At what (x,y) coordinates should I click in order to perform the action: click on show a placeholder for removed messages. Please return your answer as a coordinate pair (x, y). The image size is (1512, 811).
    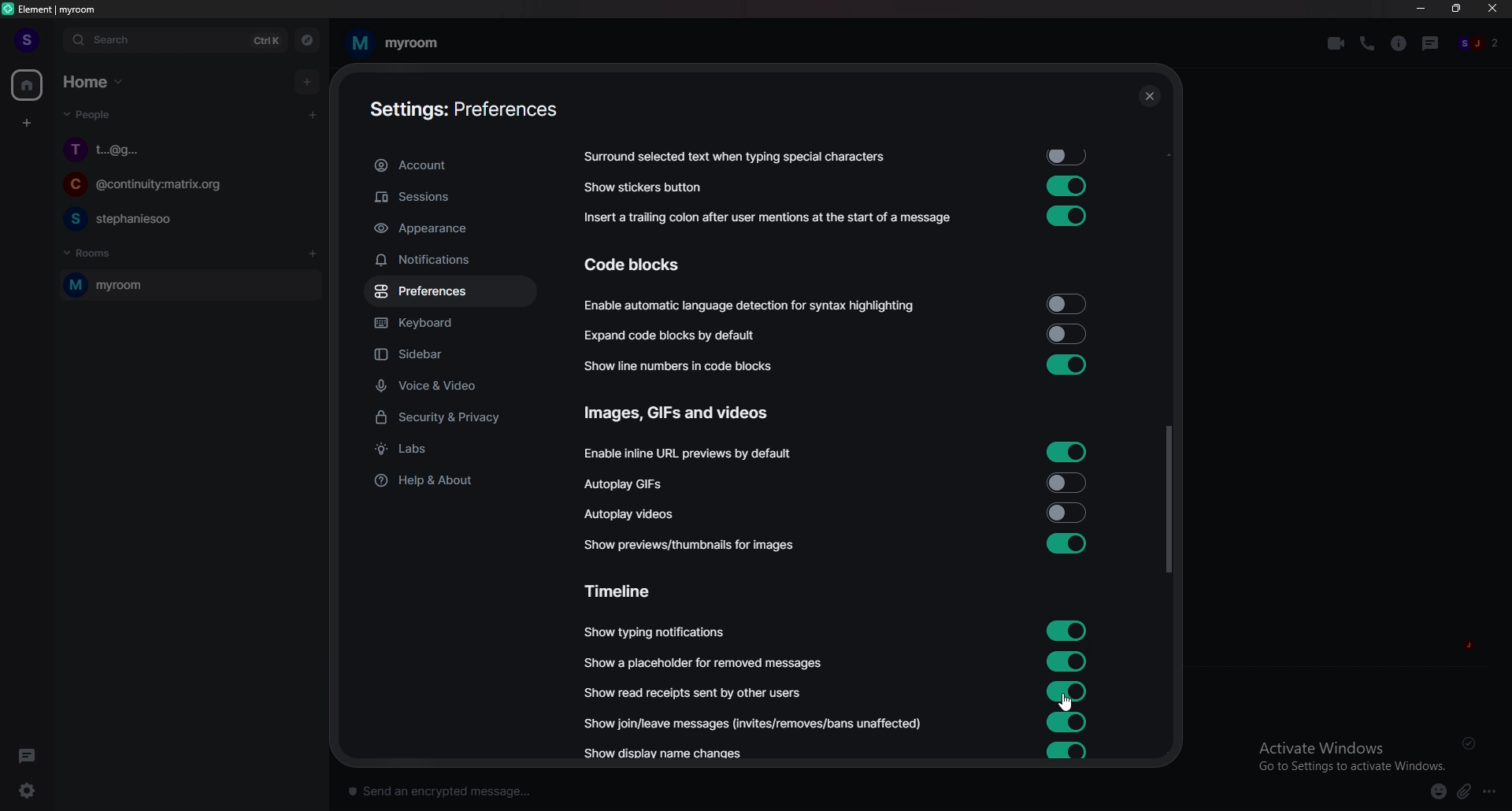
    Looking at the image, I should click on (704, 663).